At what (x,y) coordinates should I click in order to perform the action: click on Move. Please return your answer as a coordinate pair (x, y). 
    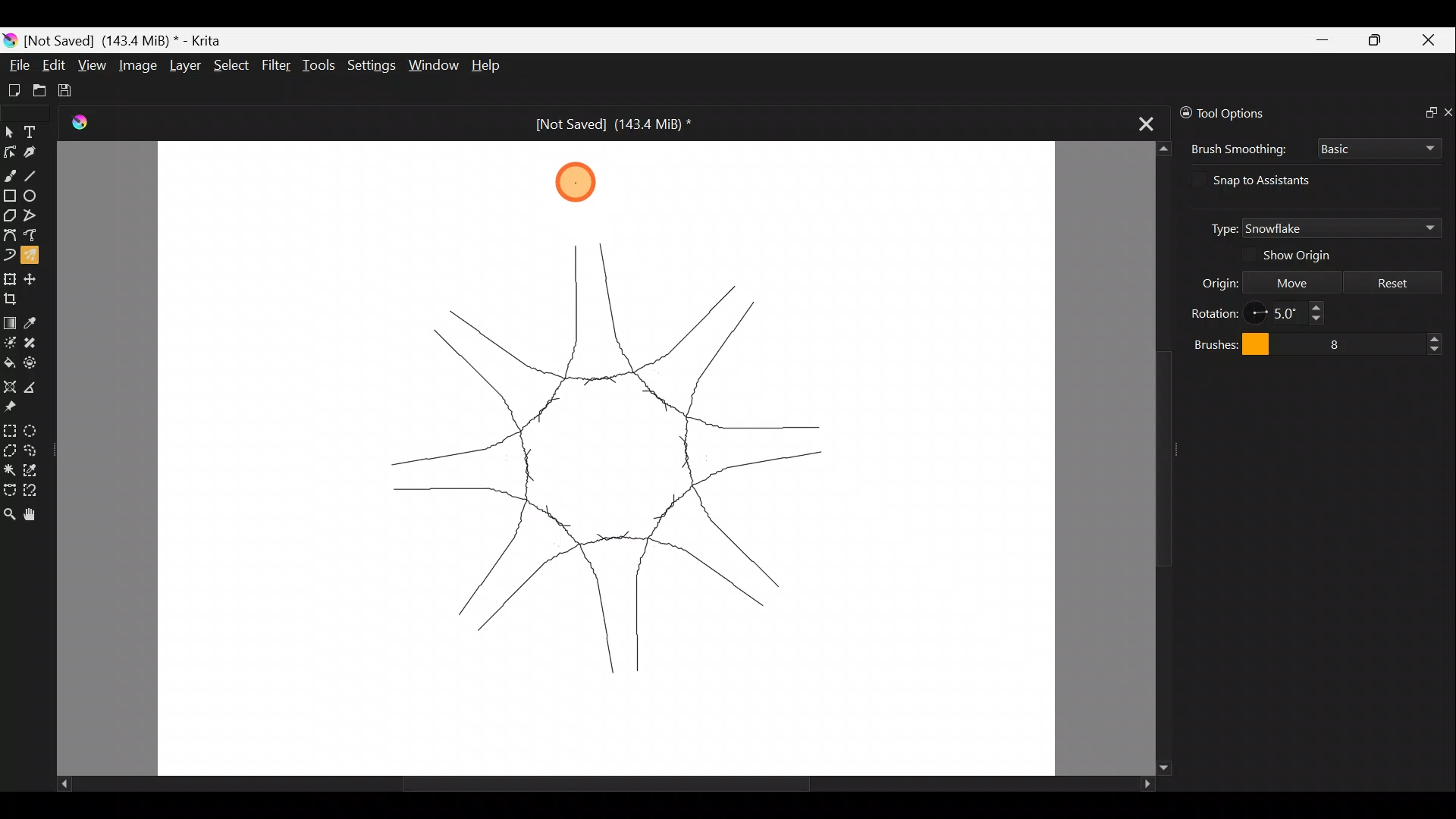
    Looking at the image, I should click on (1291, 281).